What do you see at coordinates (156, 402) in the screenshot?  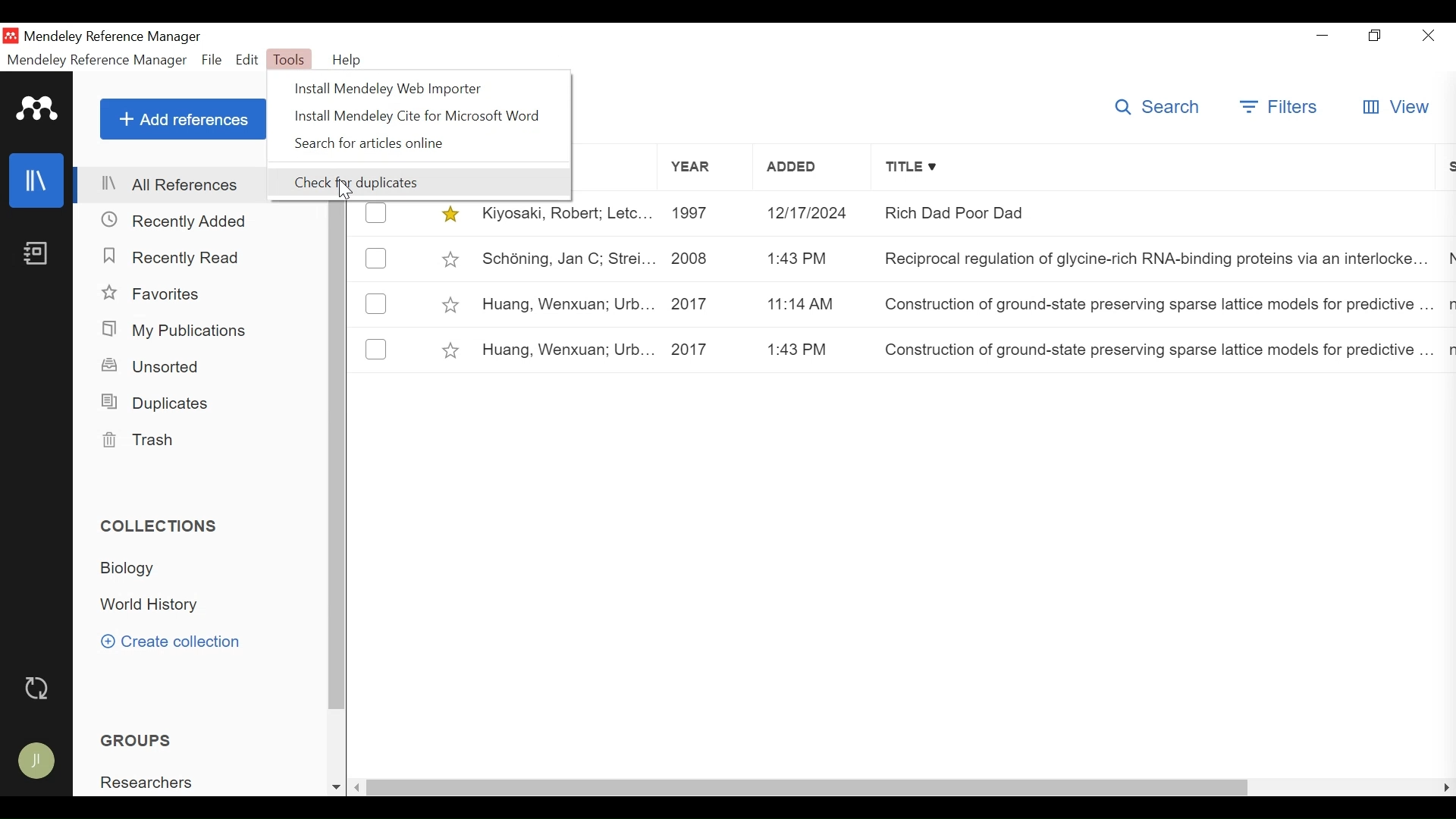 I see `Duplicates` at bounding box center [156, 402].